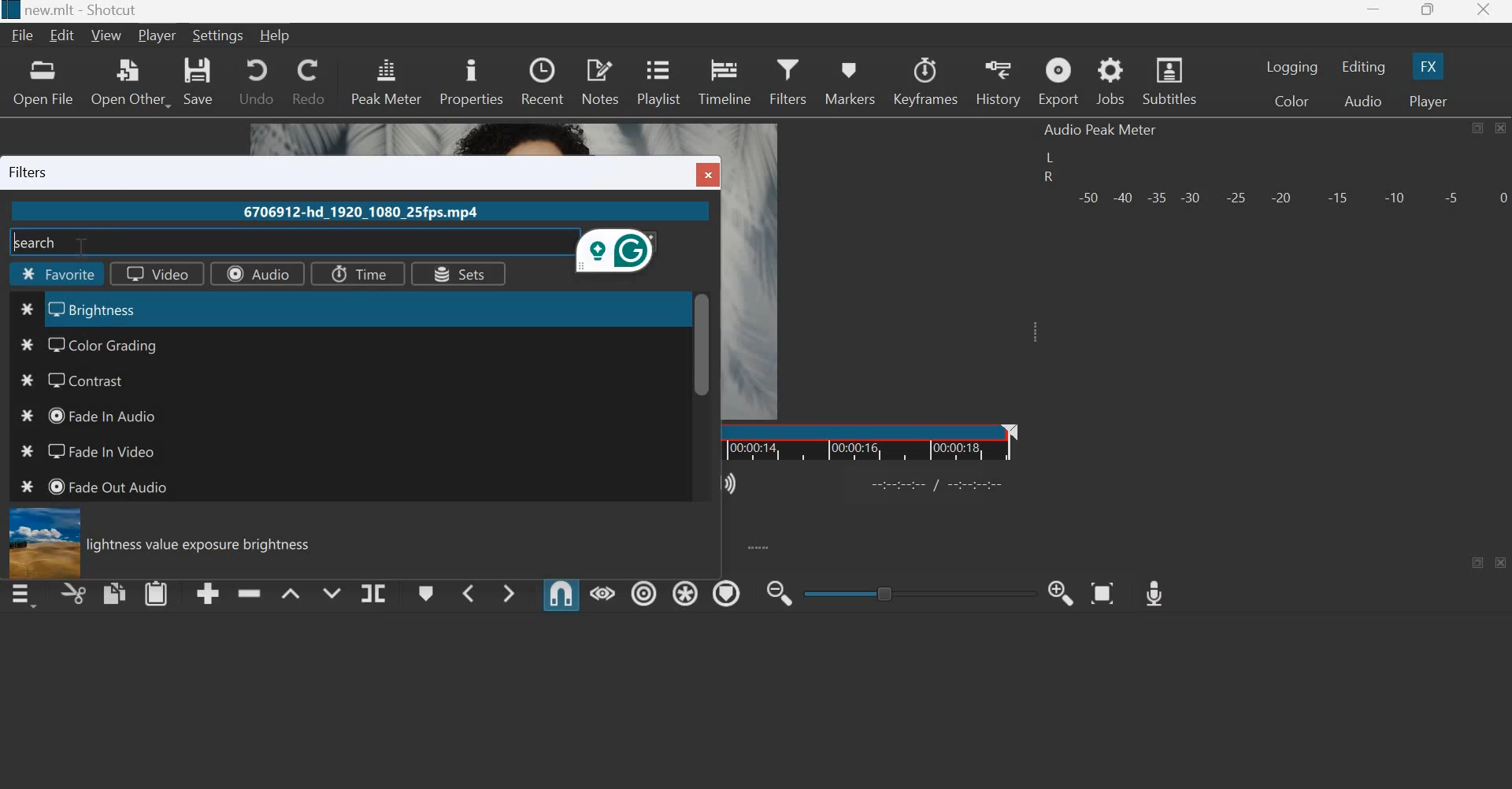  Describe the element at coordinates (778, 595) in the screenshot. I see `Zoom Timeline out` at that location.